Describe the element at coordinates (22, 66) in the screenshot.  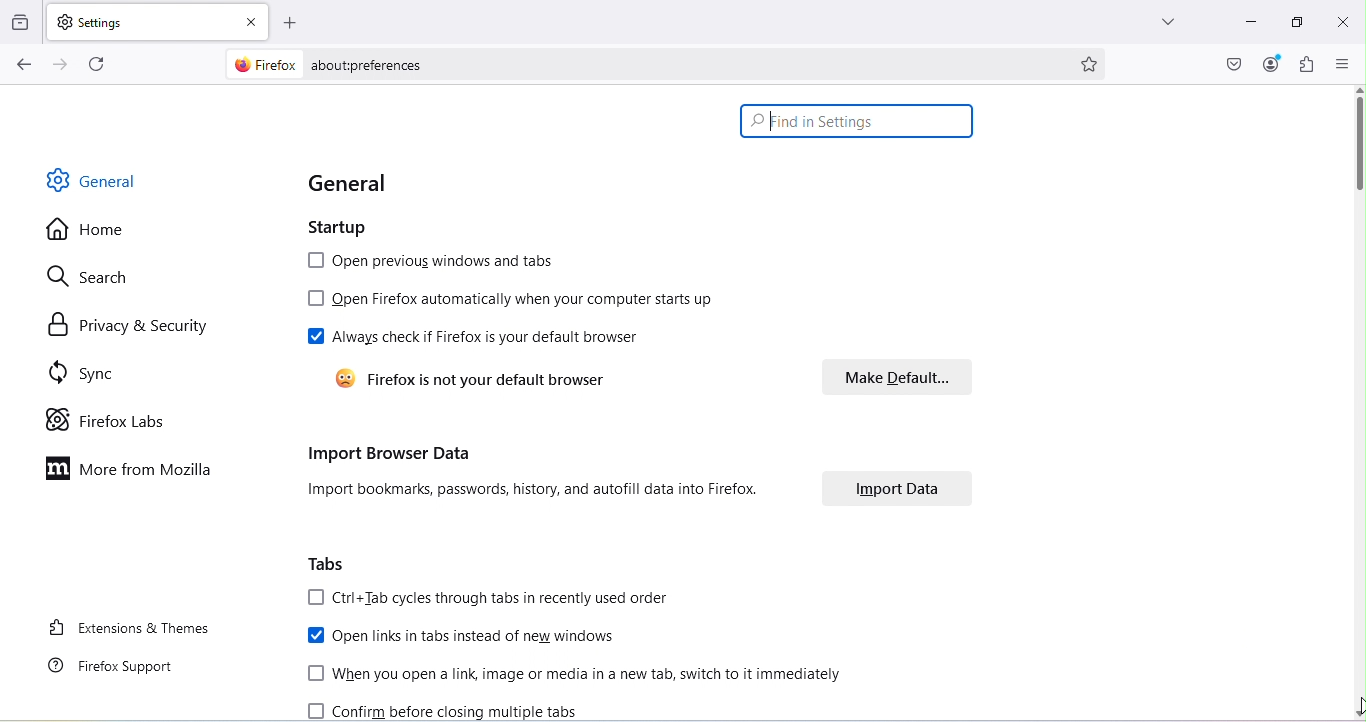
I see `Go back one page` at that location.